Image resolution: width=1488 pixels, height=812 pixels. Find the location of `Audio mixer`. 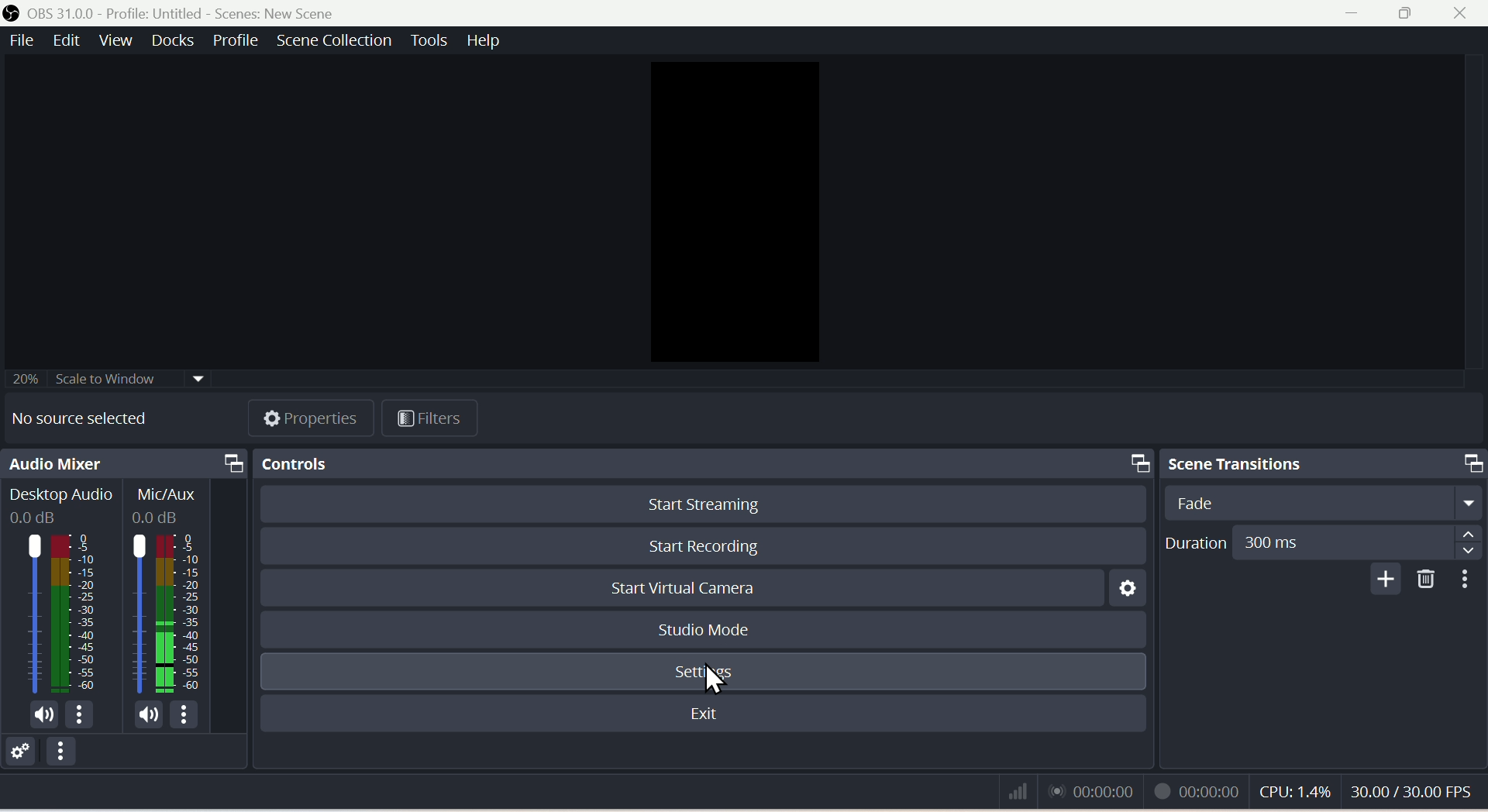

Audio mixer is located at coordinates (124, 461).